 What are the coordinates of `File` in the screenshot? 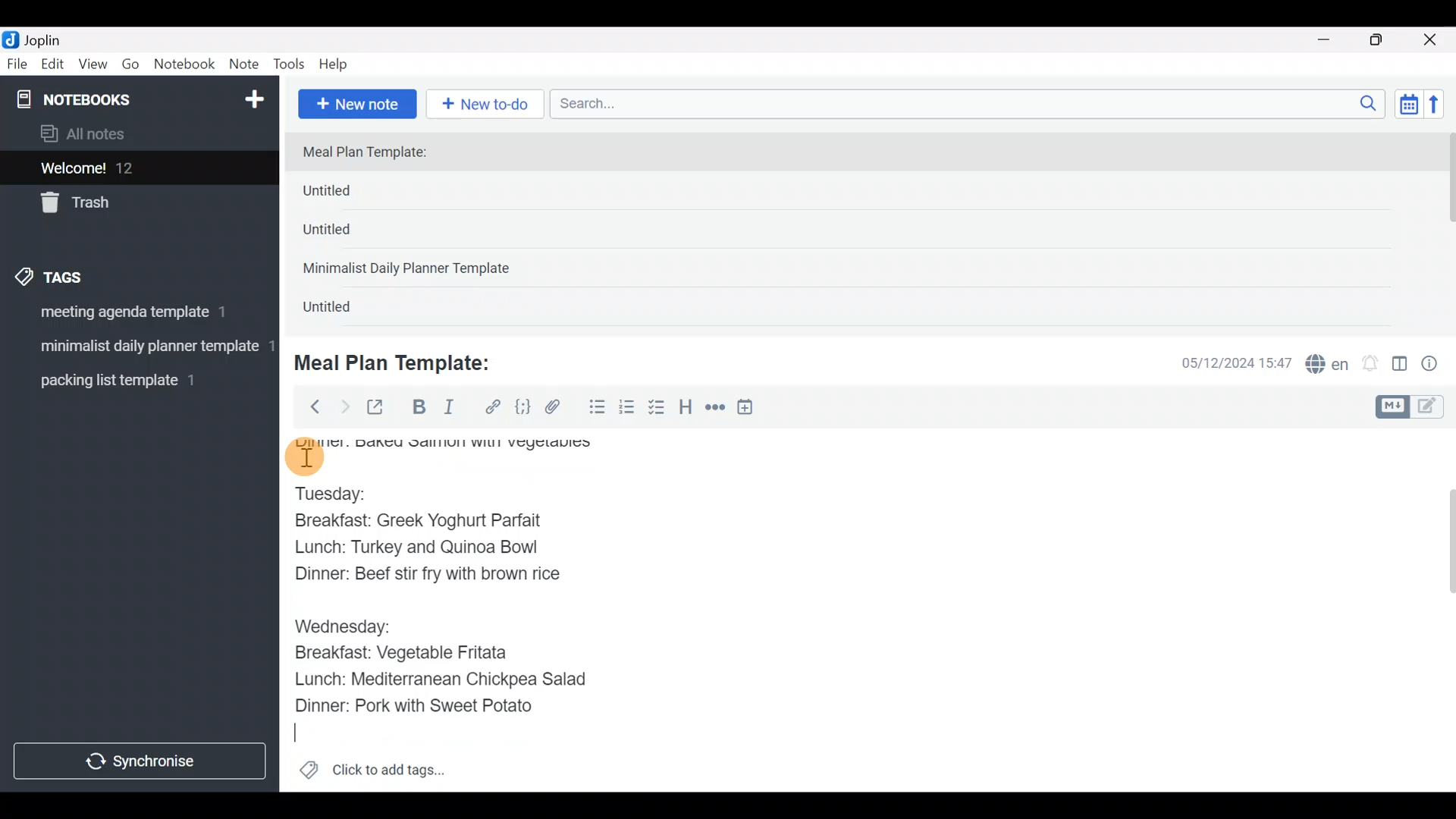 It's located at (18, 64).